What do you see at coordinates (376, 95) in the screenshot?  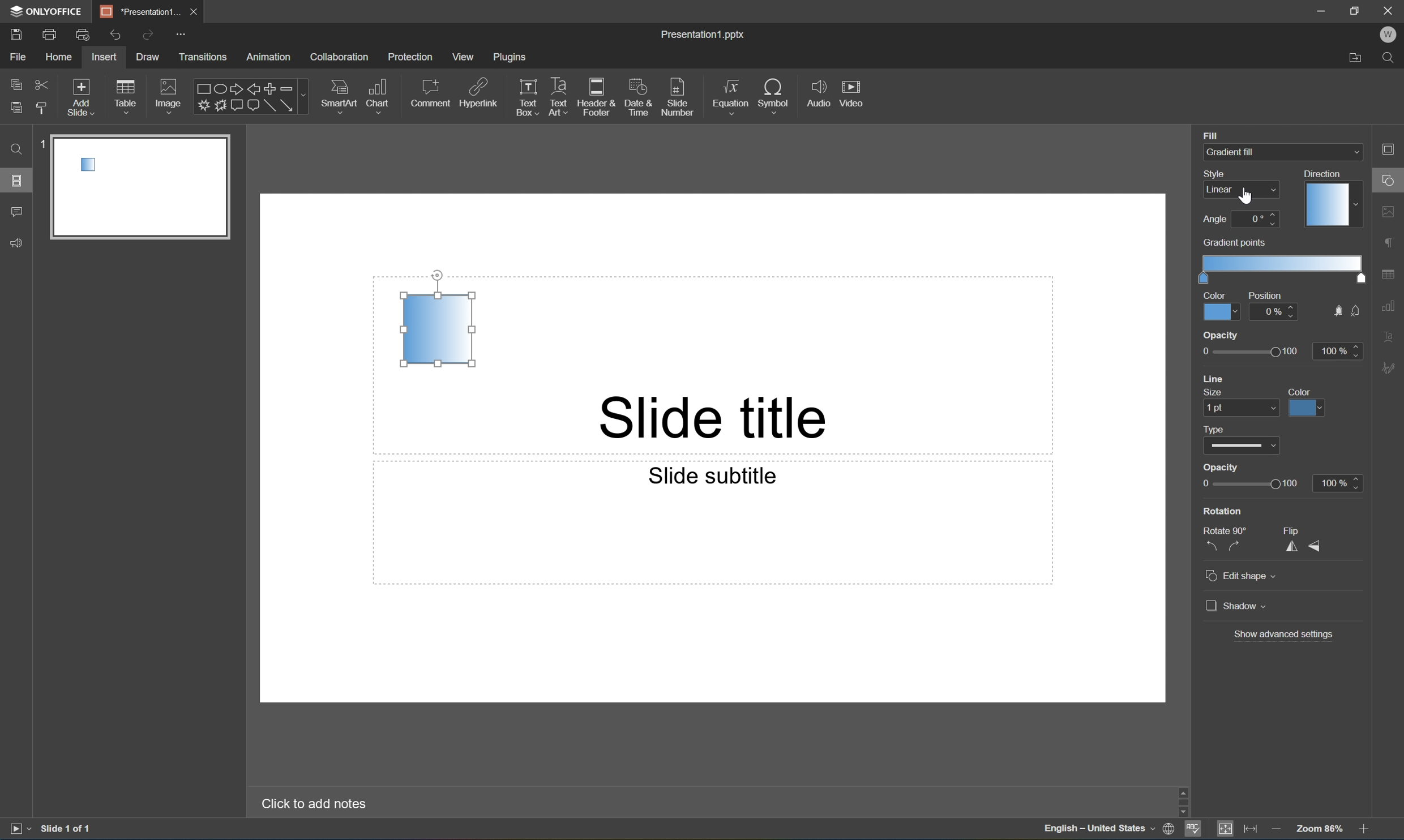 I see `Chart` at bounding box center [376, 95].